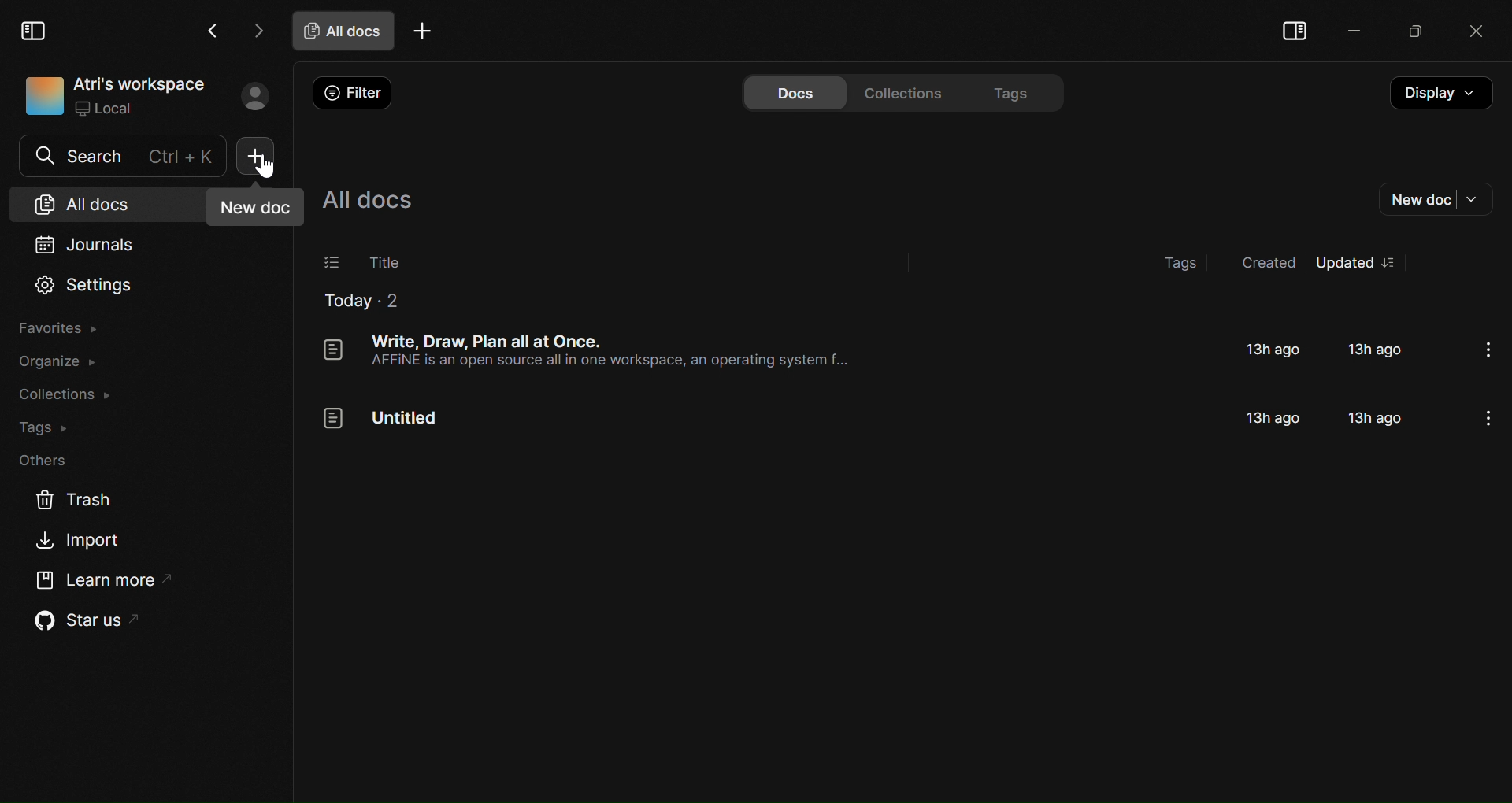 This screenshot has height=803, width=1512. Describe the element at coordinates (67, 502) in the screenshot. I see `Trash` at that location.